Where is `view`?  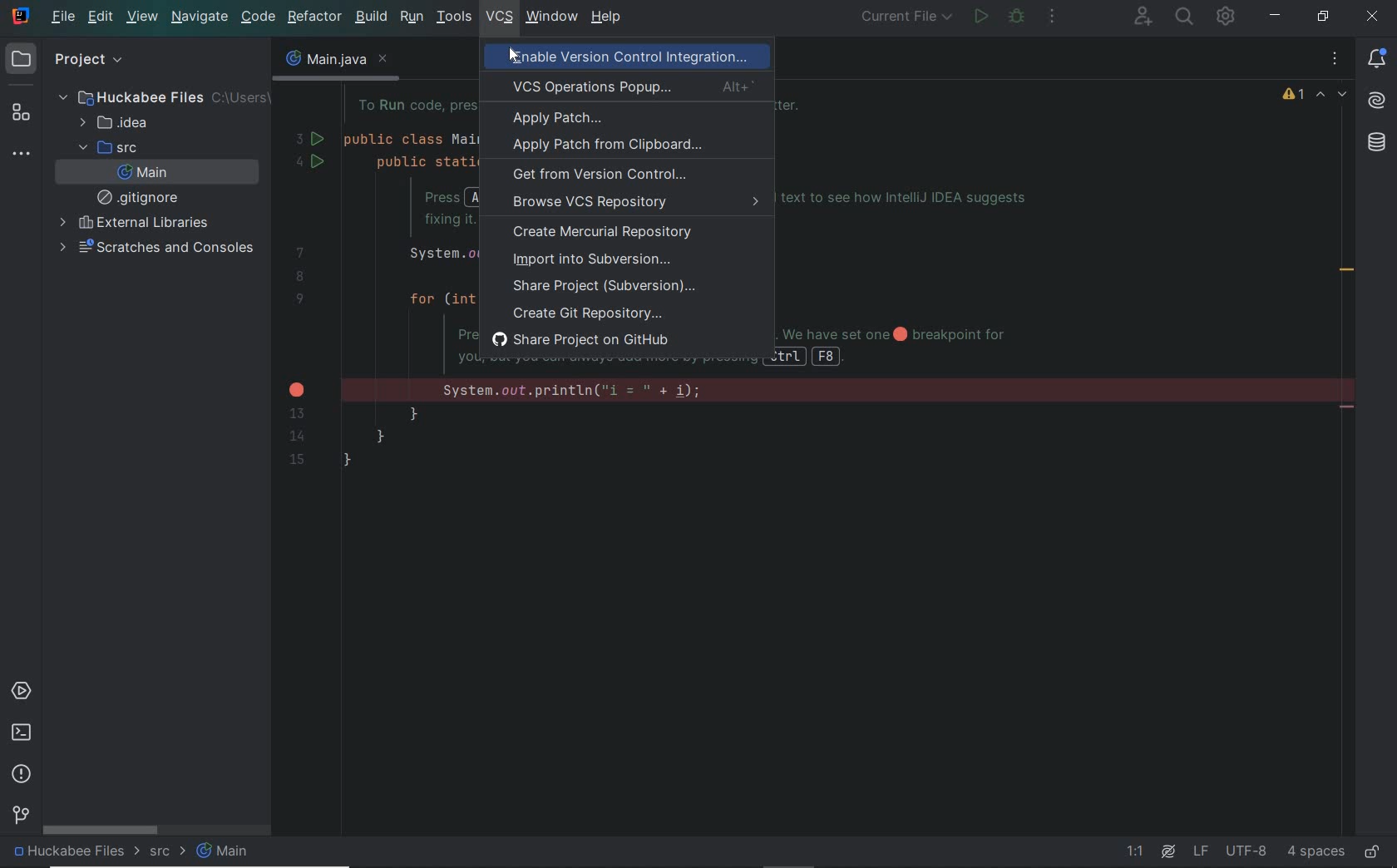 view is located at coordinates (143, 18).